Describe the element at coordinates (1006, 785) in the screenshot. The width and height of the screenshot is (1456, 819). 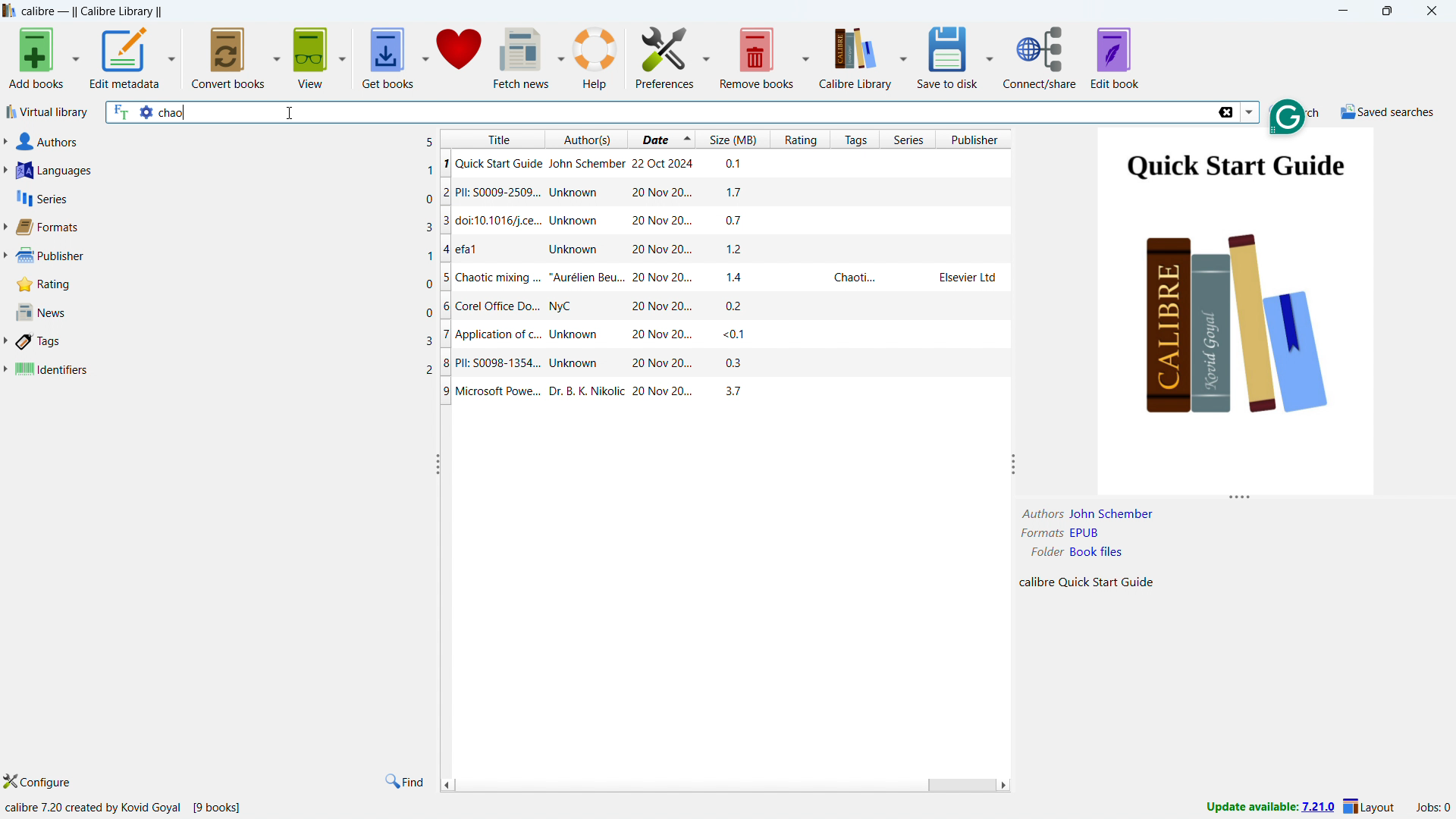
I see `scroll right` at that location.